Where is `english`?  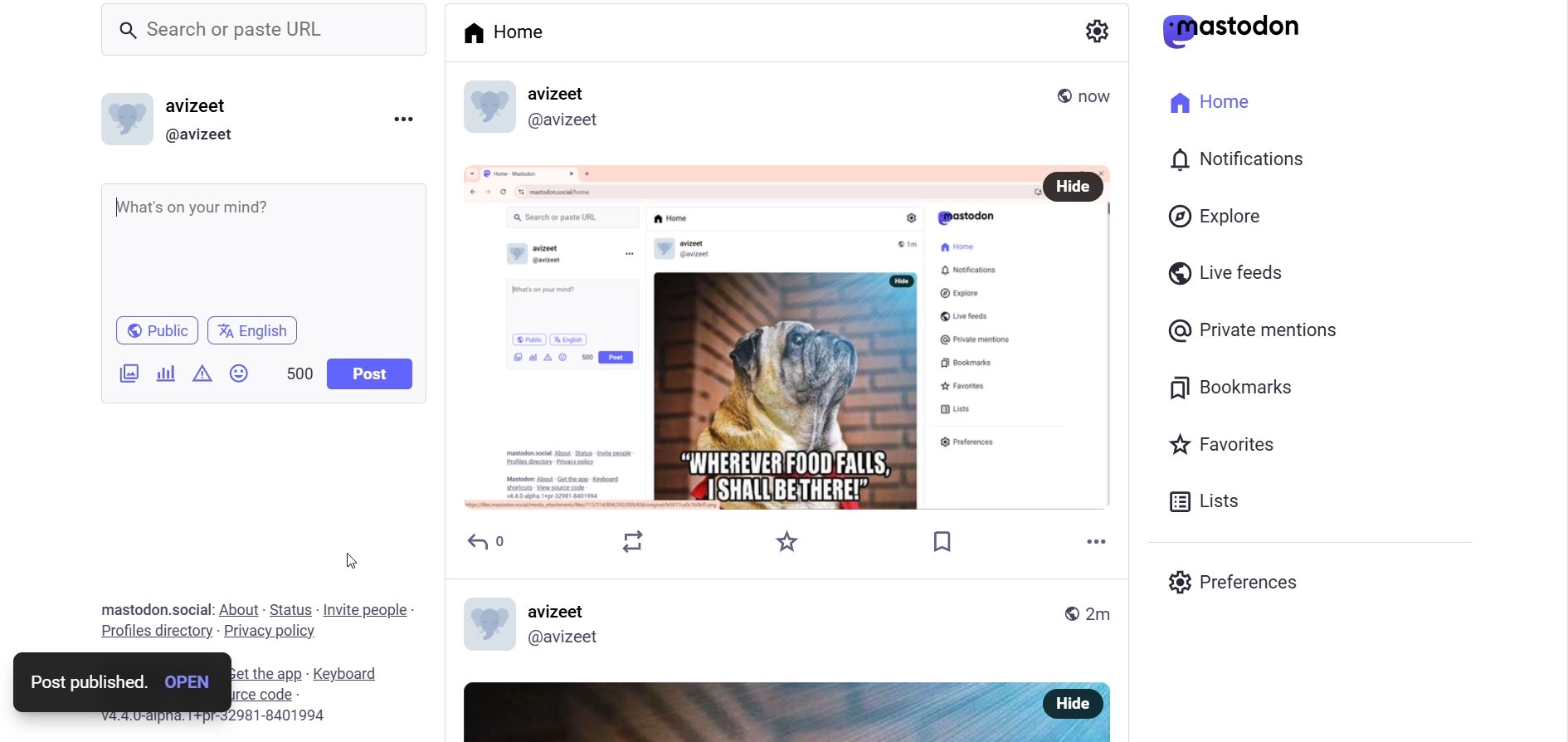 english is located at coordinates (260, 331).